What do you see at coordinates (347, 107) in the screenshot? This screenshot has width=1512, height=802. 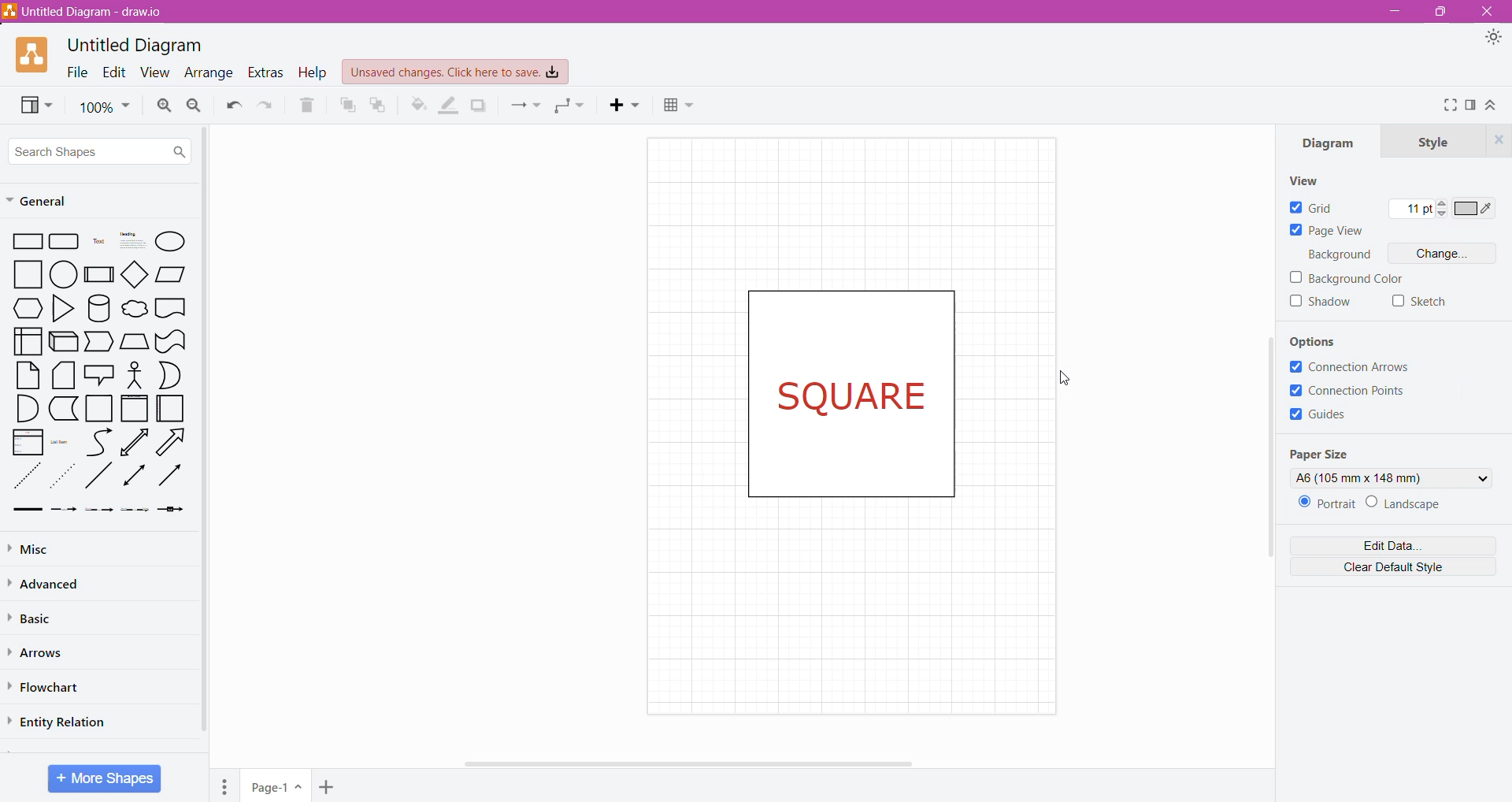 I see `To Front` at bounding box center [347, 107].